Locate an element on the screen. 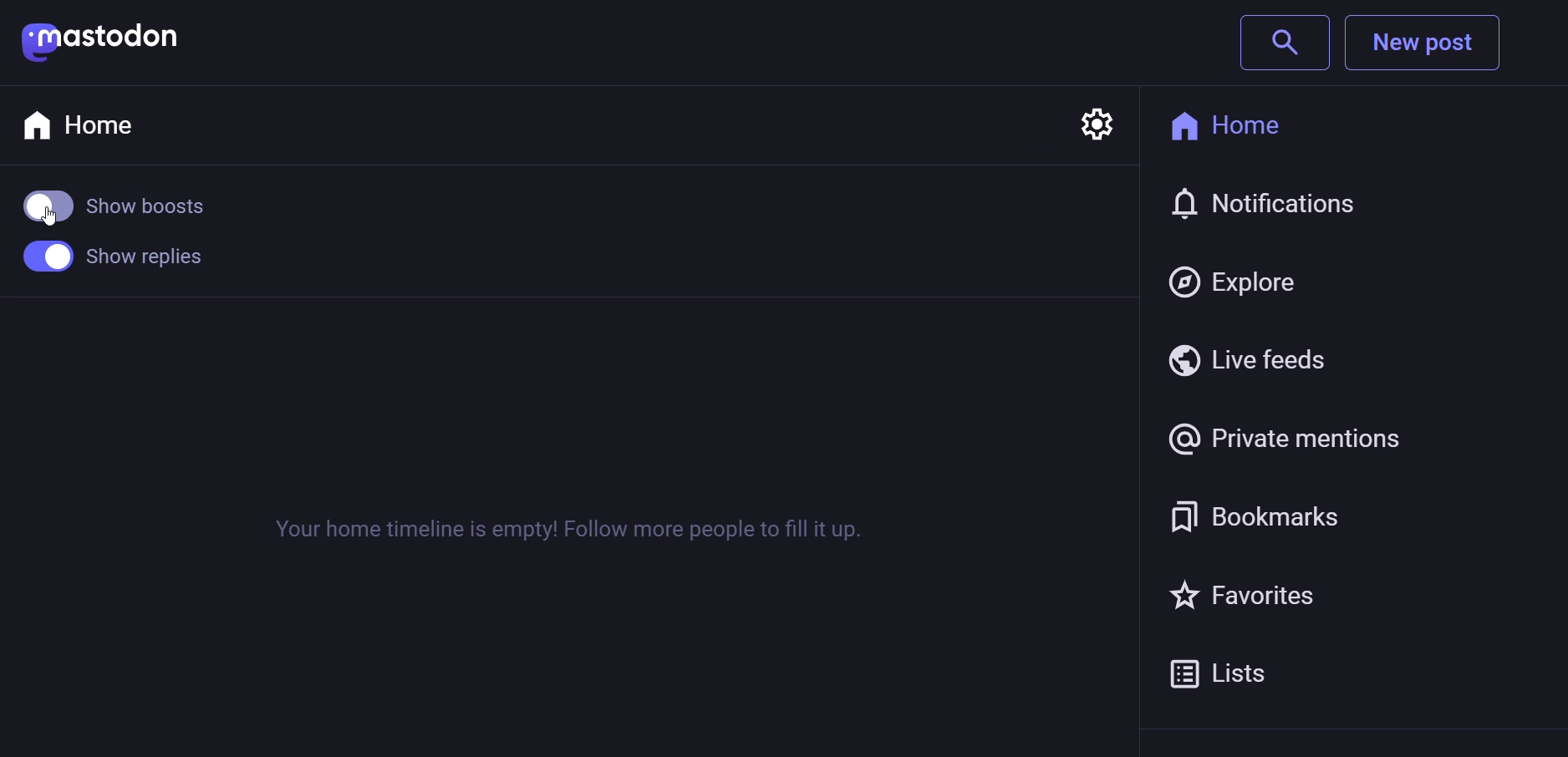 This screenshot has height=757, width=1568. private mention is located at coordinates (1289, 434).